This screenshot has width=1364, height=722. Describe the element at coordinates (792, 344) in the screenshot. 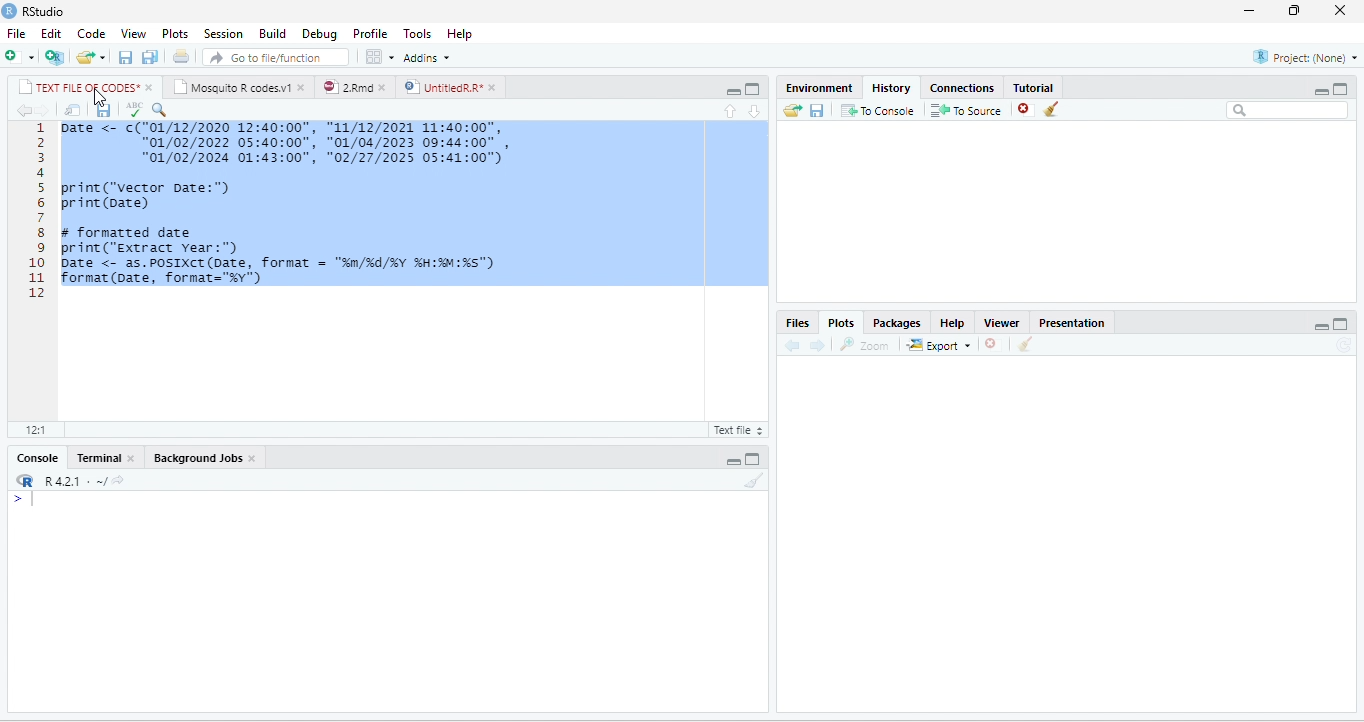

I see `back` at that location.